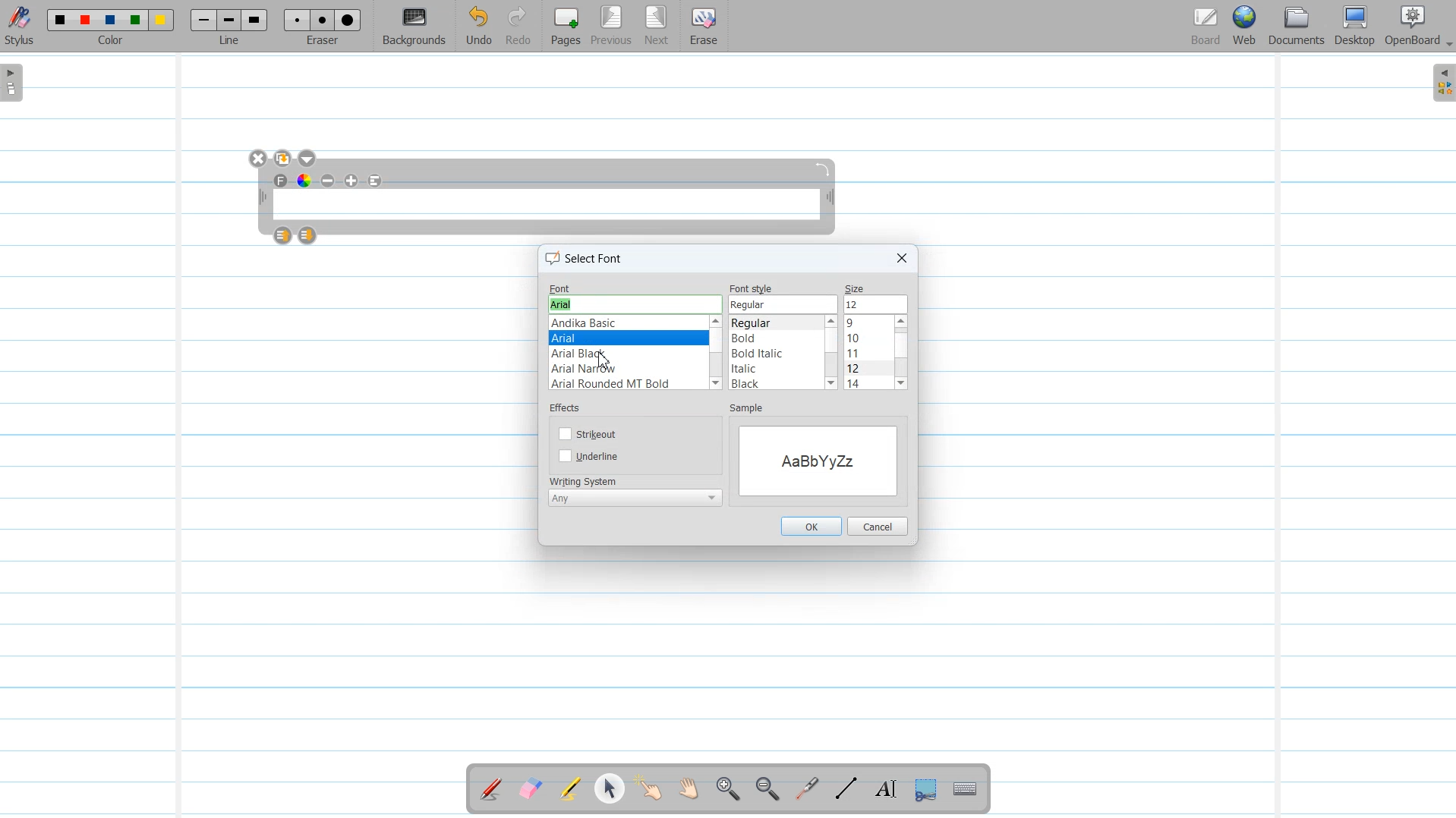 The image size is (1456, 818). What do you see at coordinates (588, 260) in the screenshot?
I see `select font` at bounding box center [588, 260].